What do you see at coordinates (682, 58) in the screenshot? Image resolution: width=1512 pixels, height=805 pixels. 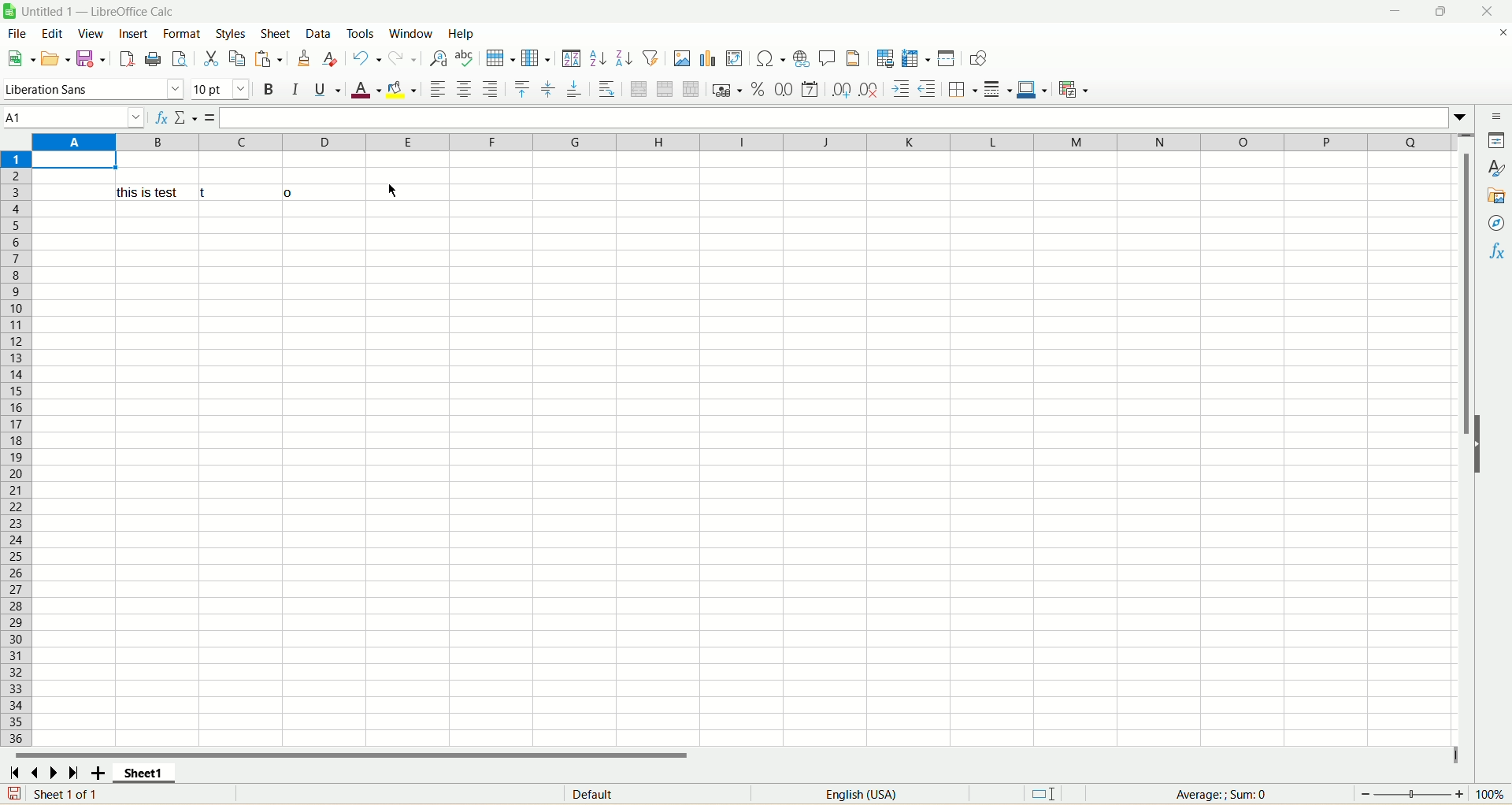 I see `insert image` at bounding box center [682, 58].